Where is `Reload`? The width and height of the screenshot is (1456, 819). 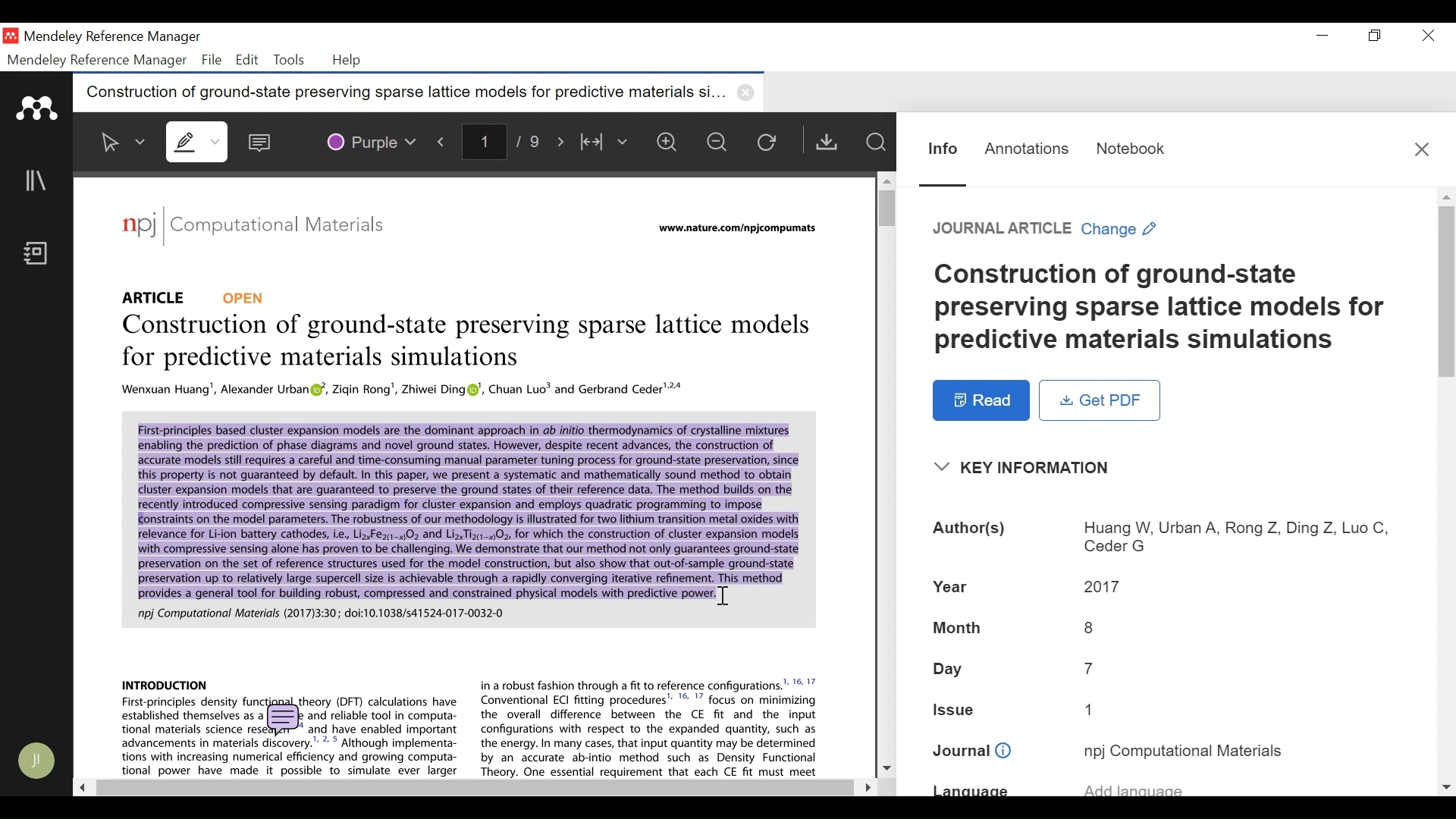
Reload is located at coordinates (770, 141).